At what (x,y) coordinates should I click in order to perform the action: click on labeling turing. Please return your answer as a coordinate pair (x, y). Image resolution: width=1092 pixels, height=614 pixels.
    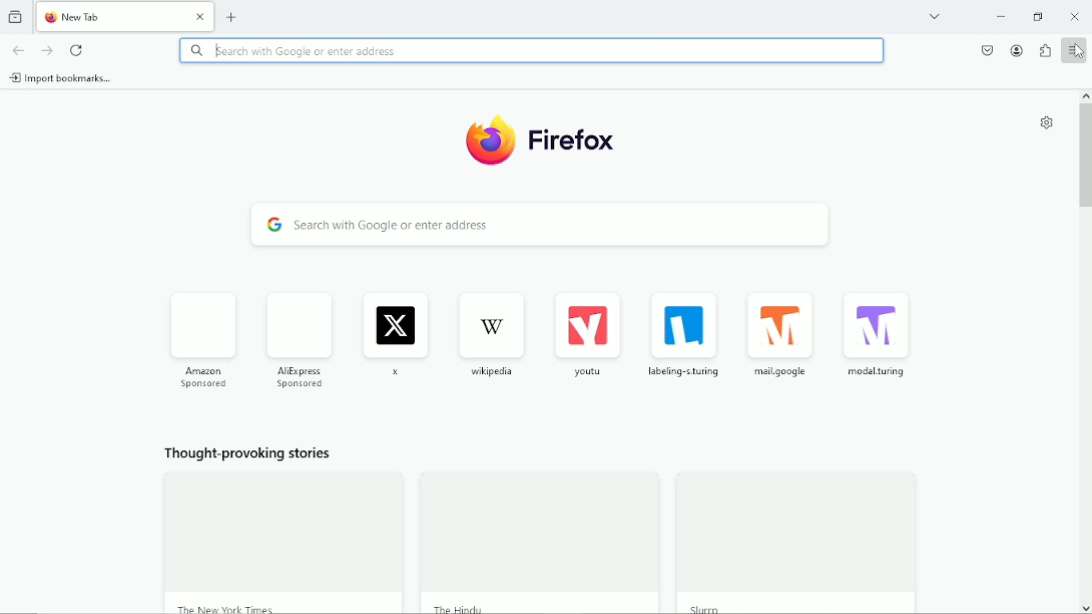
    Looking at the image, I should click on (688, 335).